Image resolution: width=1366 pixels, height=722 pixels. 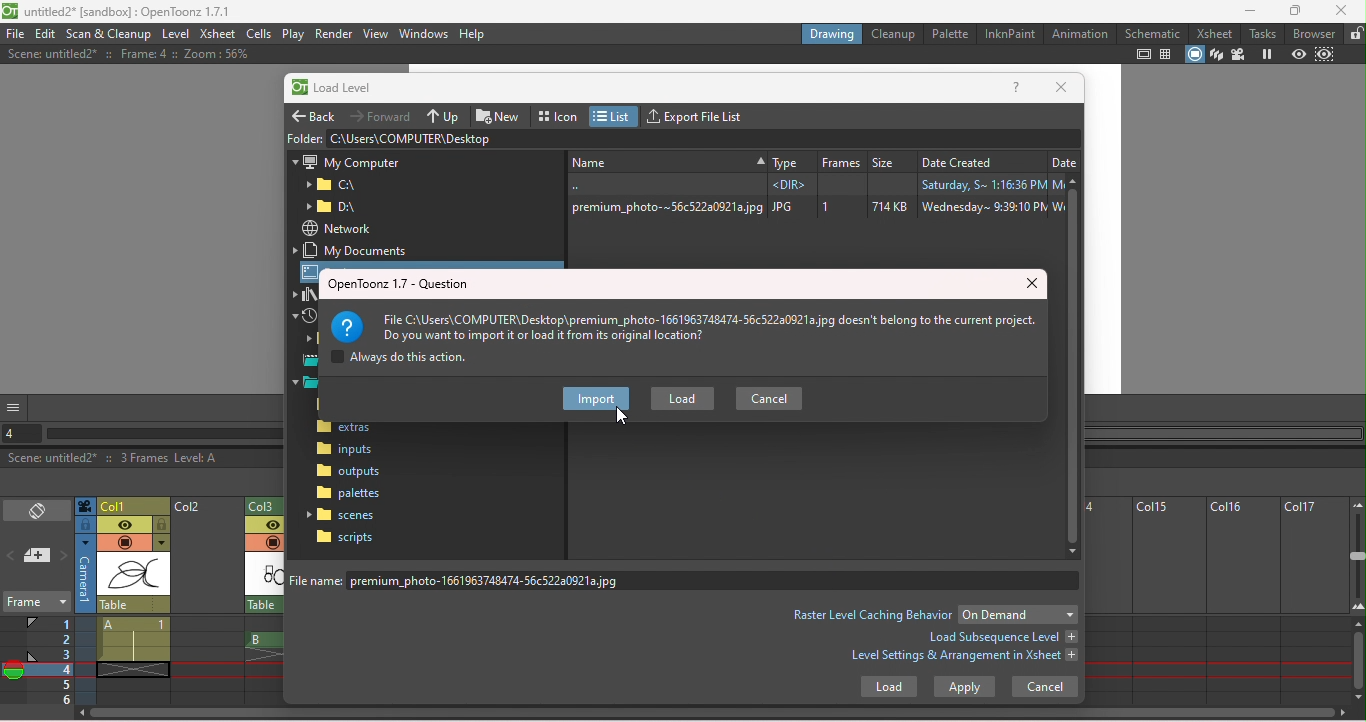 What do you see at coordinates (501, 114) in the screenshot?
I see `New` at bounding box center [501, 114].